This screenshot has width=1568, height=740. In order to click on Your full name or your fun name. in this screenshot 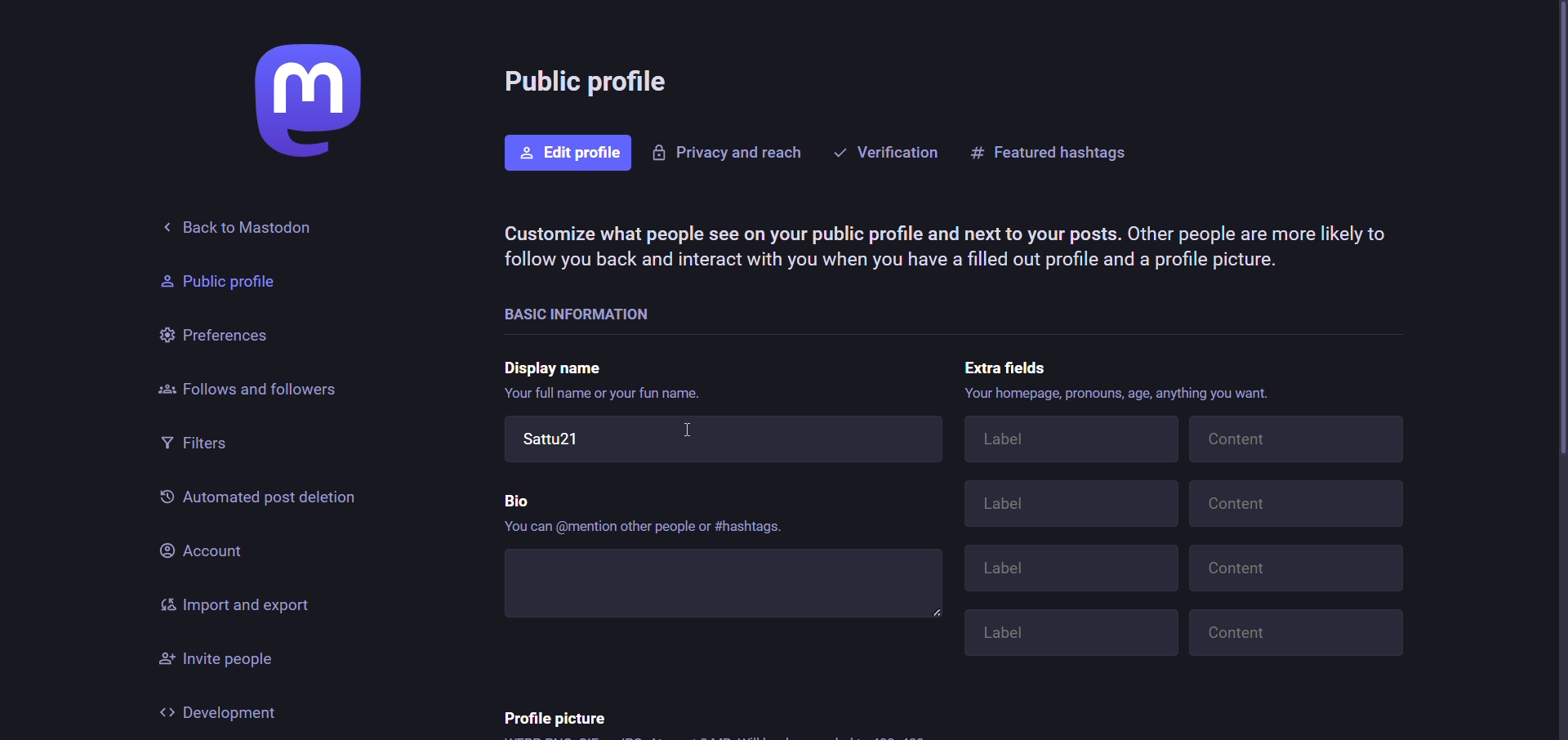, I will do `click(612, 392)`.